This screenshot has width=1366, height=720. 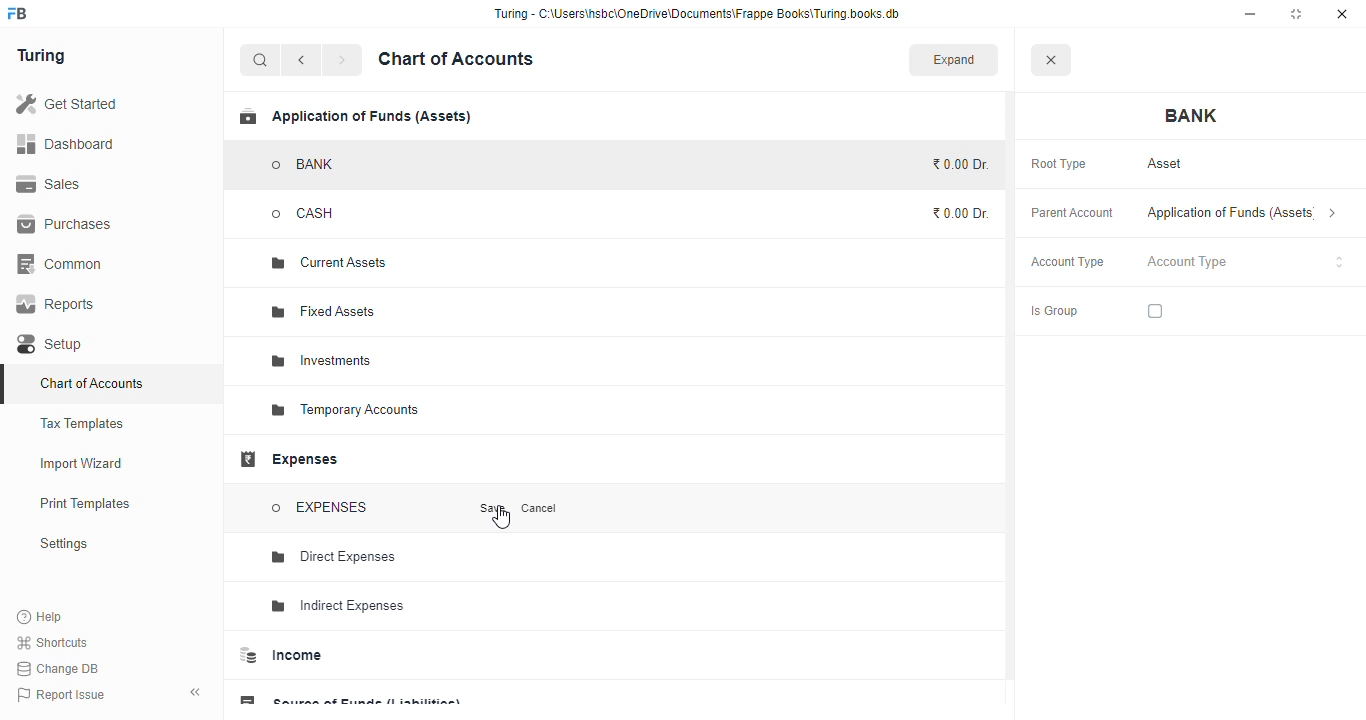 What do you see at coordinates (196, 692) in the screenshot?
I see `toggle sidebar` at bounding box center [196, 692].